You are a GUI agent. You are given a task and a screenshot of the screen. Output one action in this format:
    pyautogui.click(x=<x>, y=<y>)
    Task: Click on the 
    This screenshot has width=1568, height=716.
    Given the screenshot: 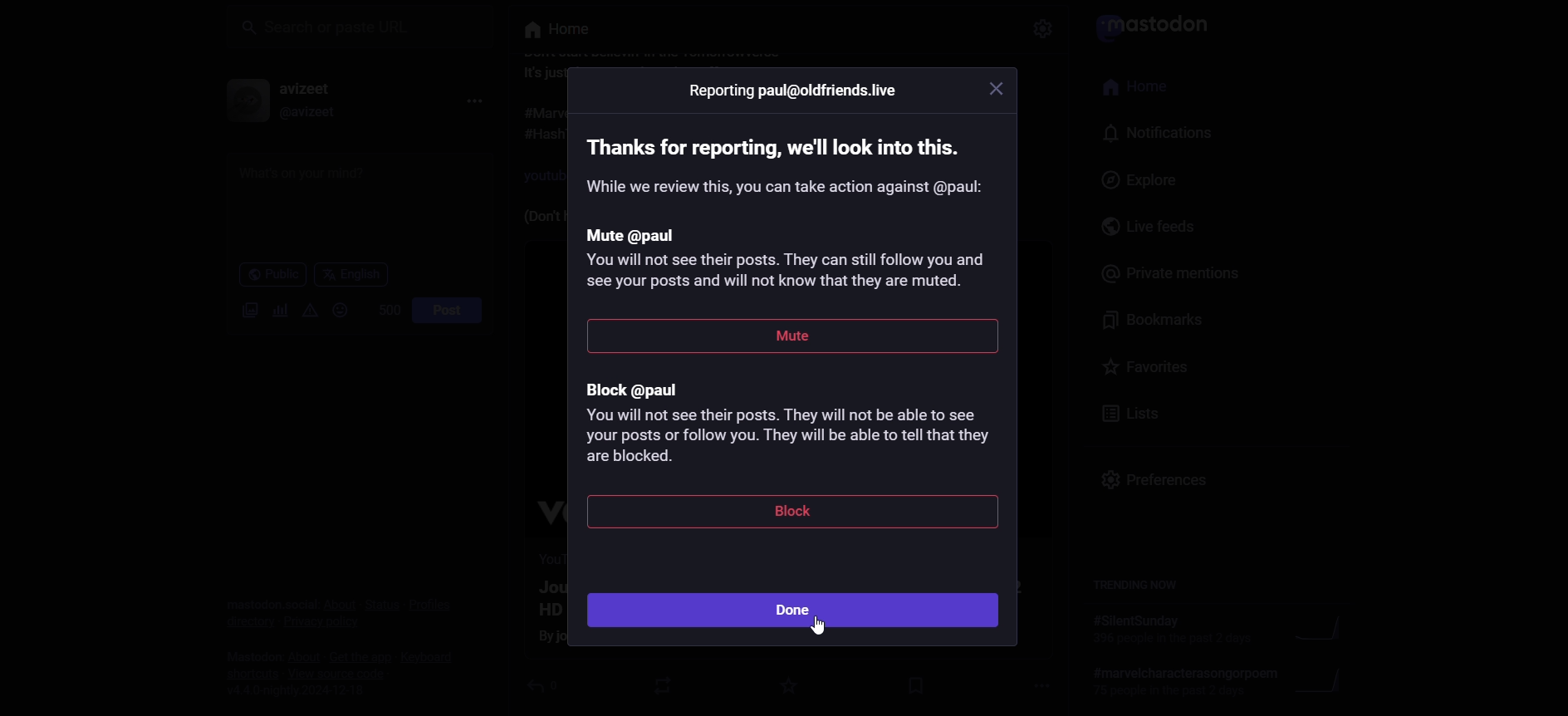 What is the action you would take?
    pyautogui.click(x=793, y=92)
    